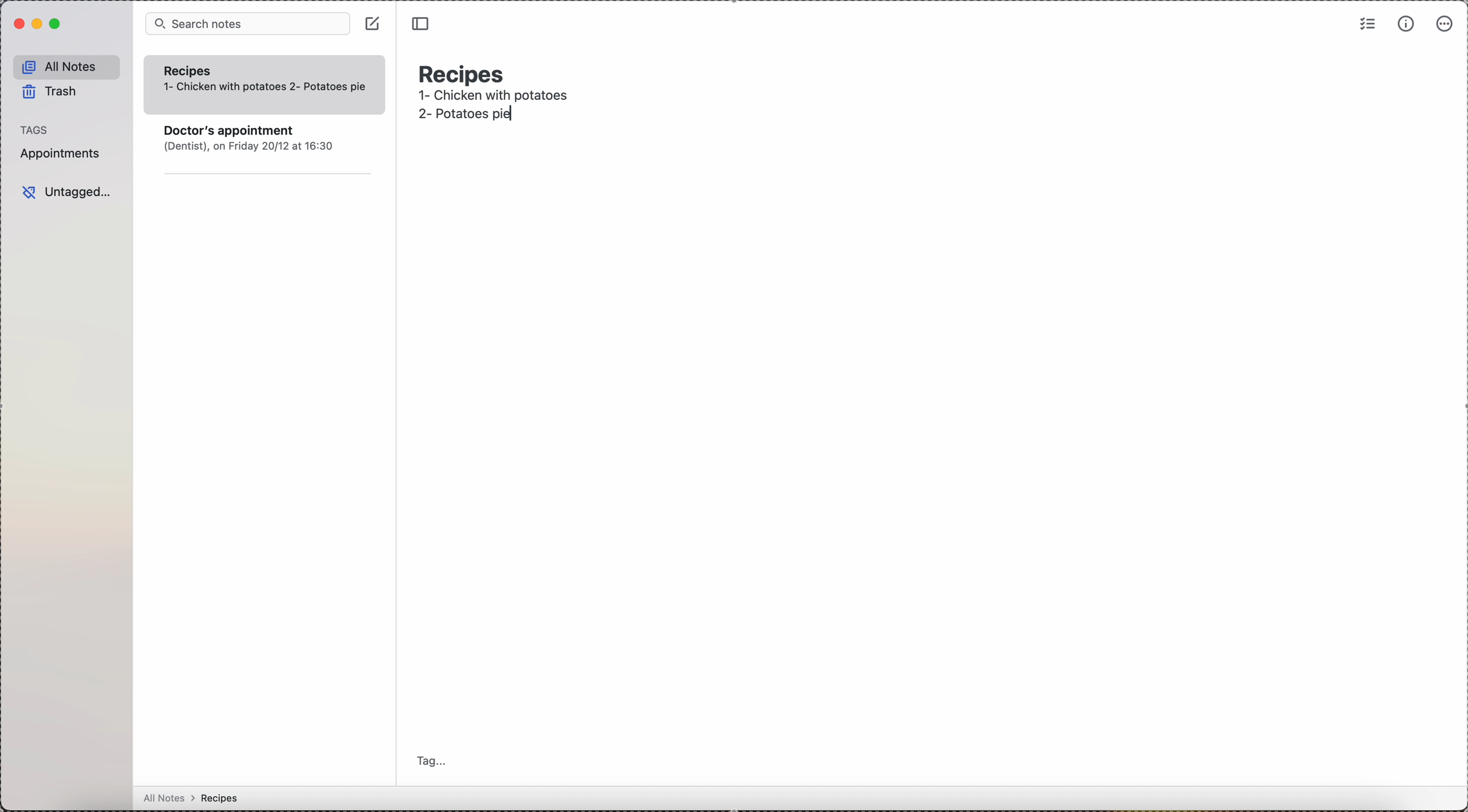 This screenshot has width=1468, height=812. I want to click on note, so click(270, 153).